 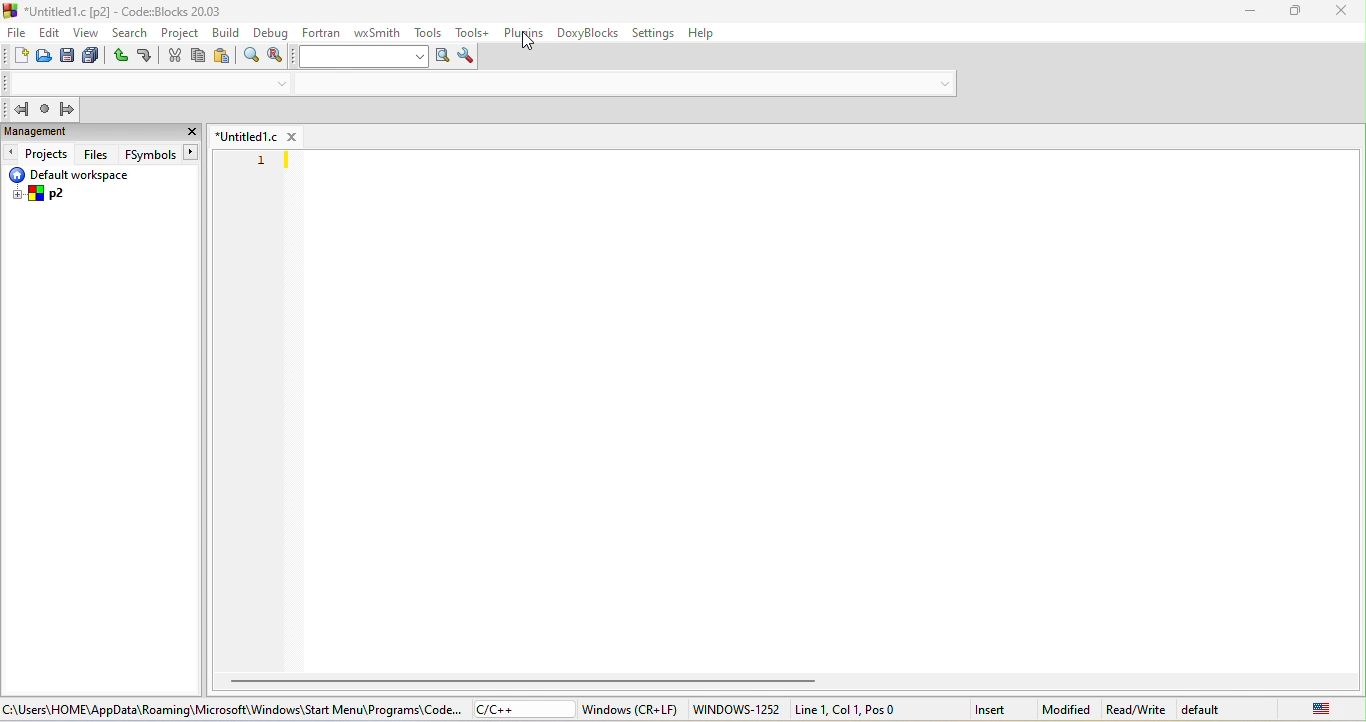 What do you see at coordinates (192, 152) in the screenshot?
I see `button ` at bounding box center [192, 152].